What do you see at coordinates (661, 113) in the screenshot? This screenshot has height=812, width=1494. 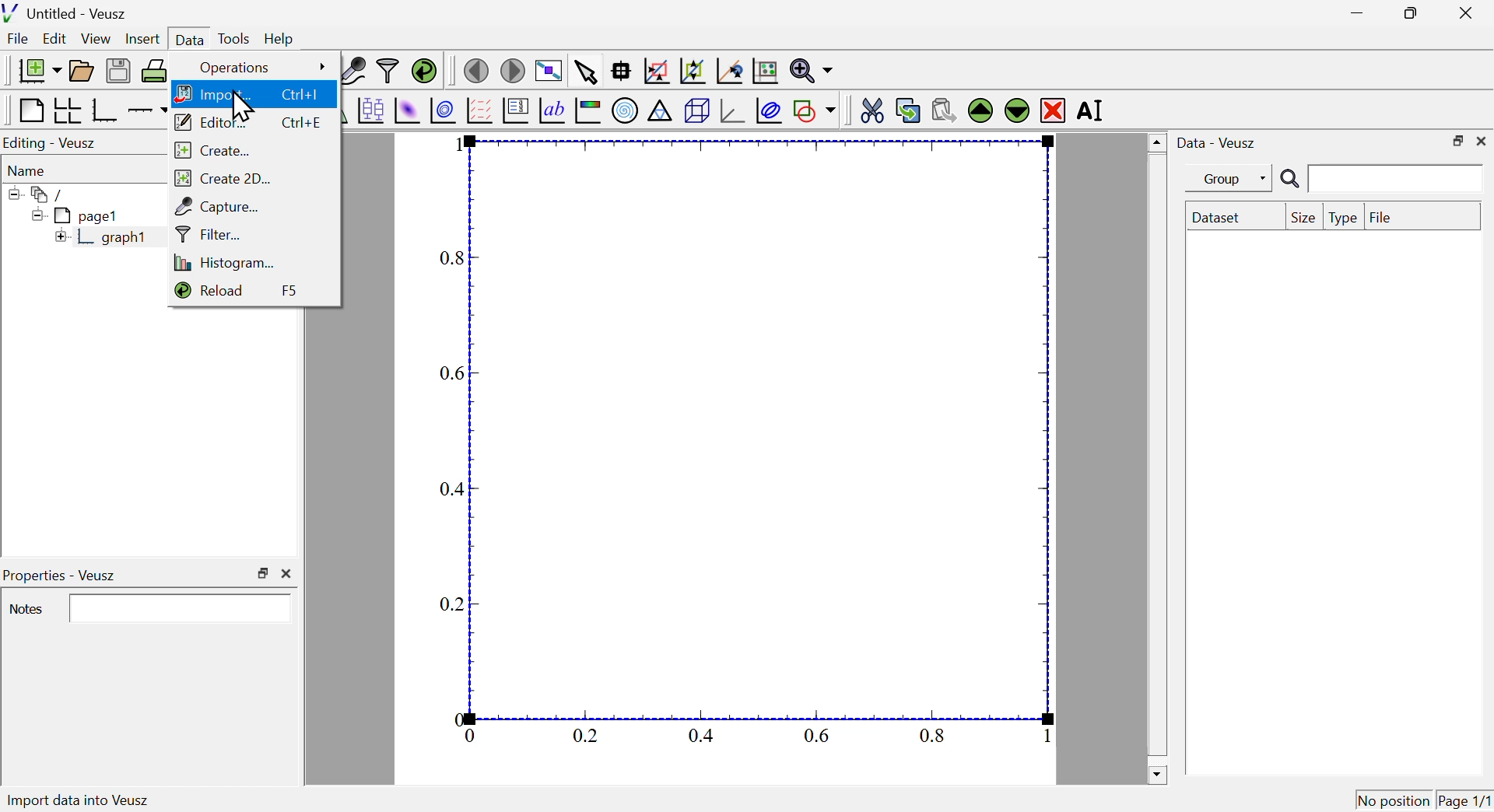 I see `ternary graph` at bounding box center [661, 113].